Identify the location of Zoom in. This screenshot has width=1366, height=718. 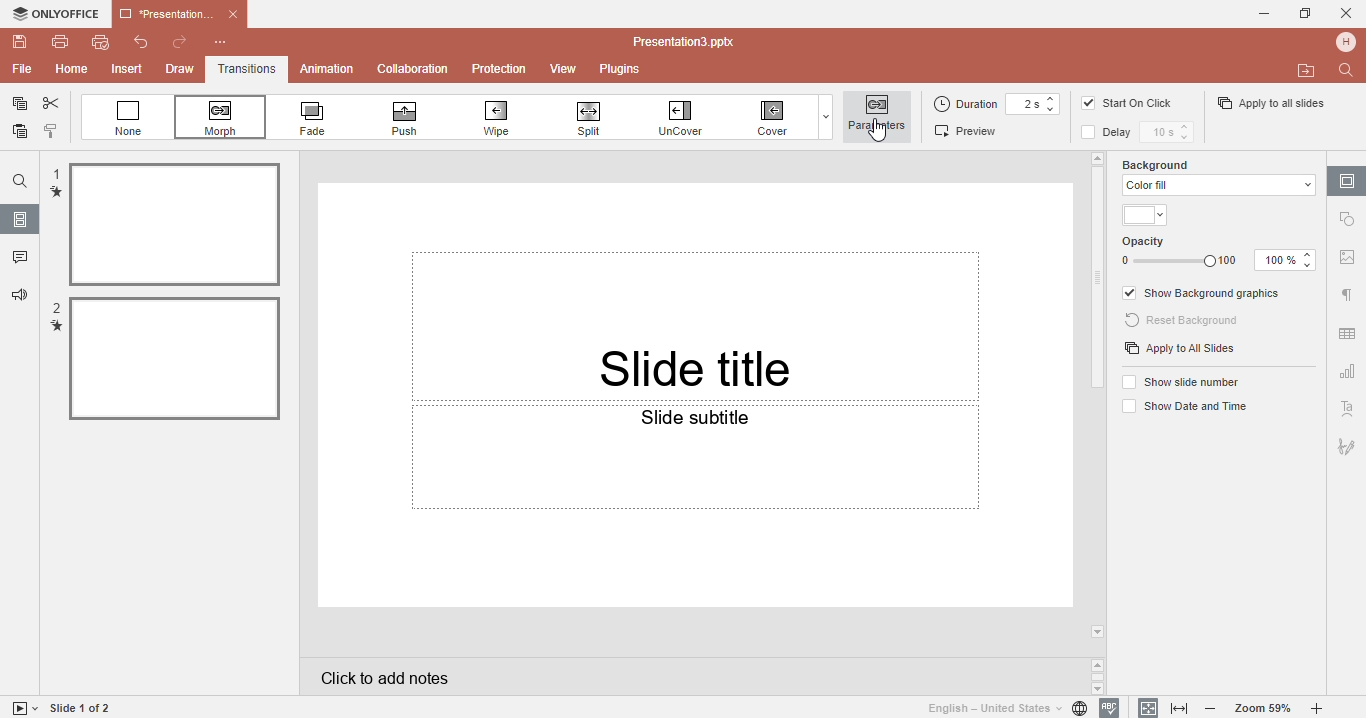
(1321, 709).